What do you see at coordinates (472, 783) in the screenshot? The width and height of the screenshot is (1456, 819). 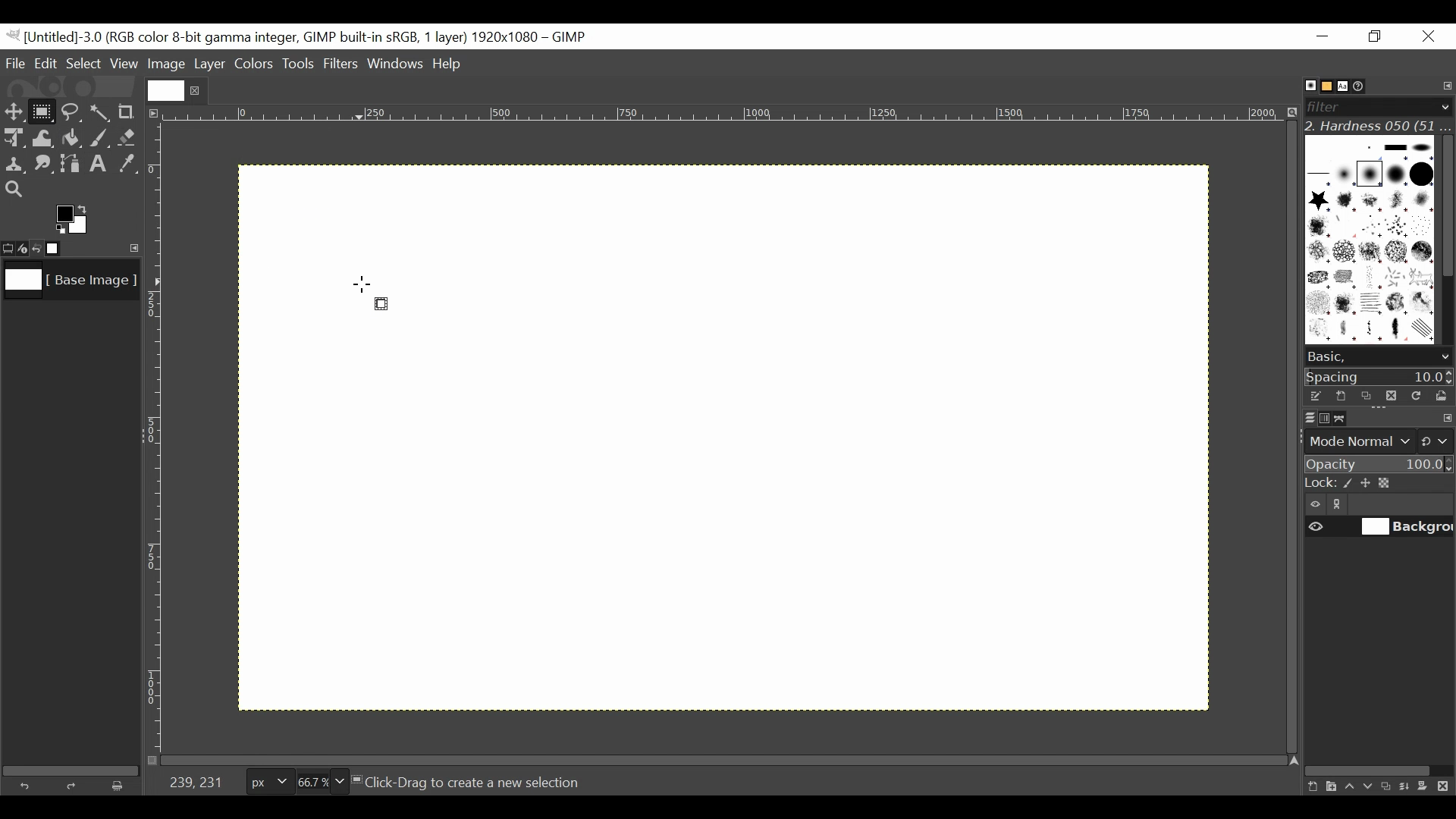 I see `Click-Drag to create a new selection` at bounding box center [472, 783].